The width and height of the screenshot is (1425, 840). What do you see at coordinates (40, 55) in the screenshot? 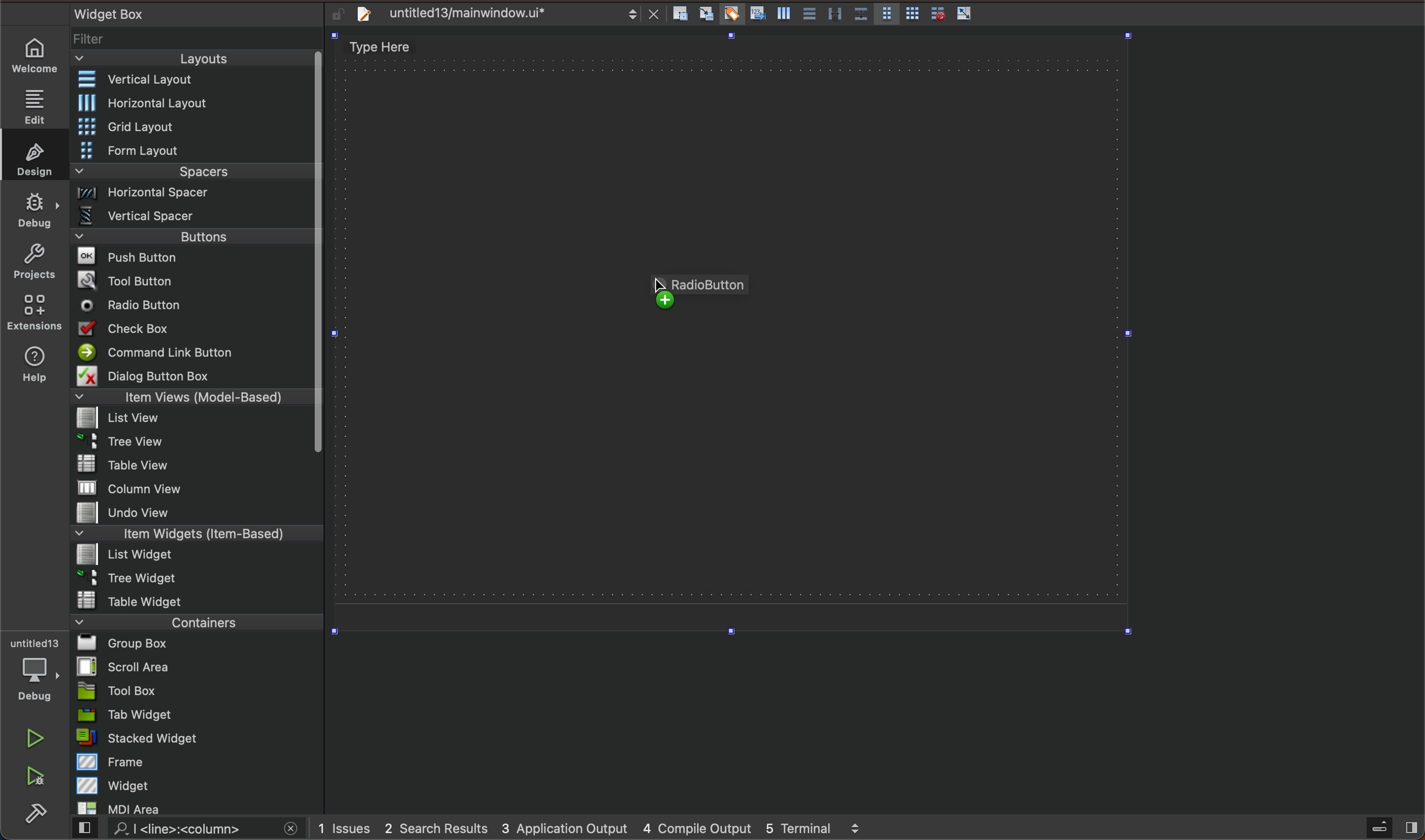
I see `home` at bounding box center [40, 55].